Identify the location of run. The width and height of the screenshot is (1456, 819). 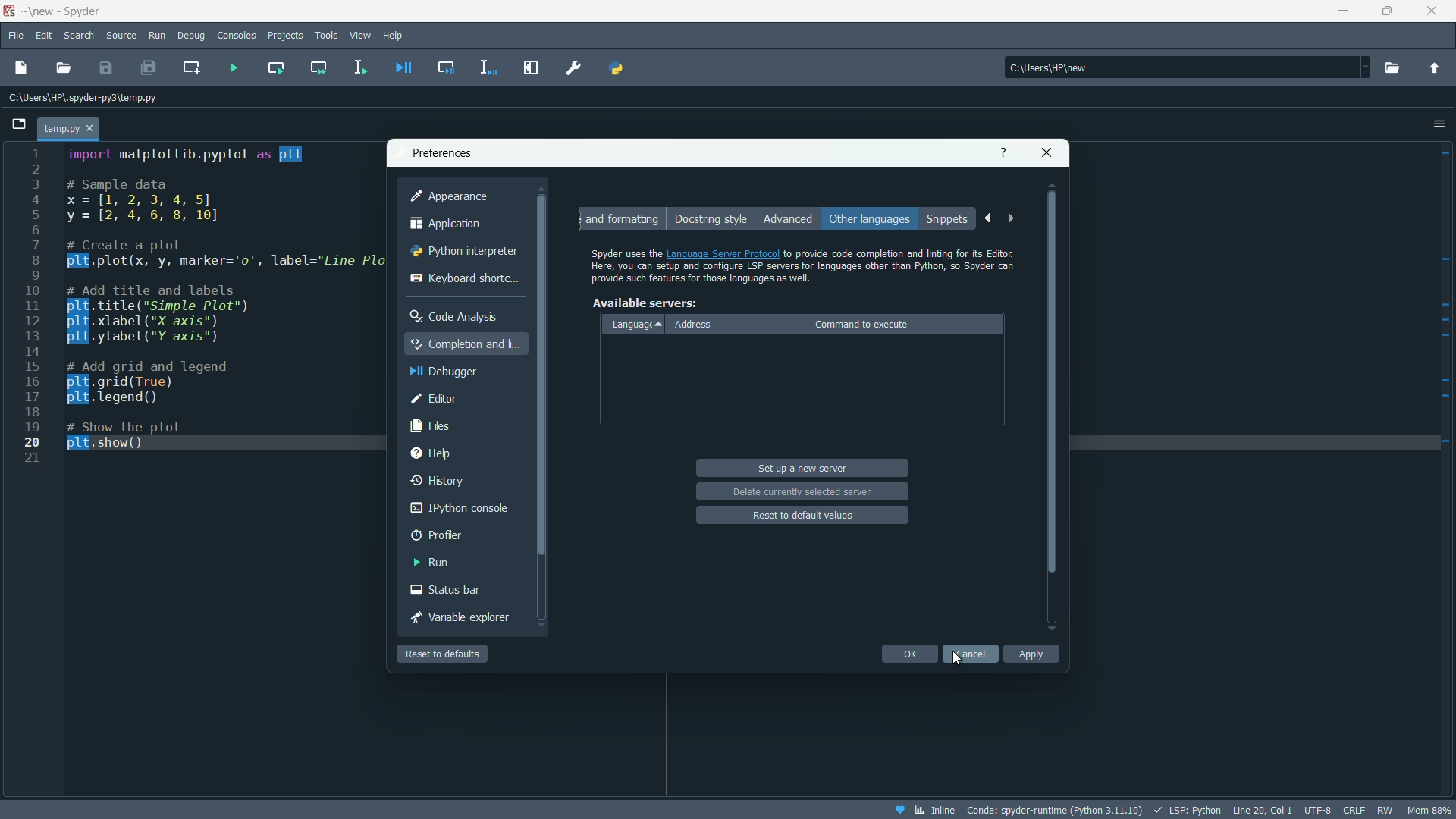
(157, 36).